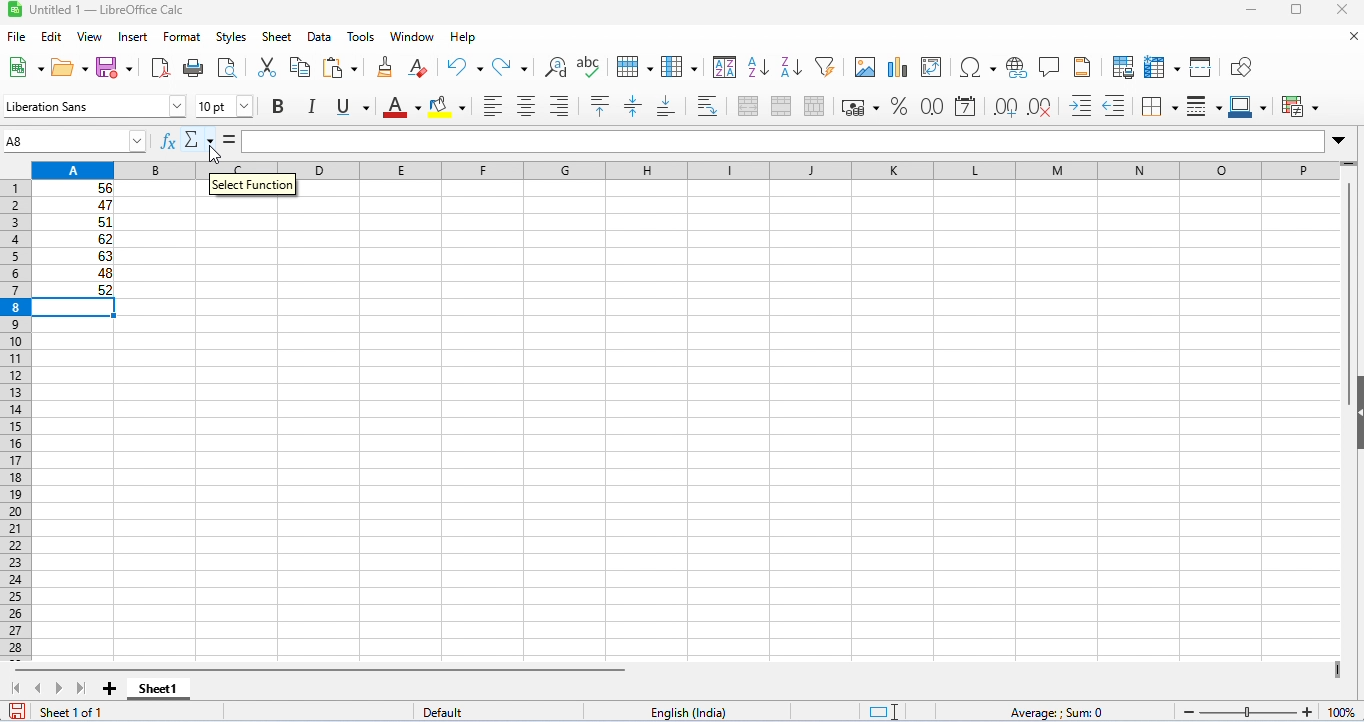 Image resolution: width=1364 pixels, height=722 pixels. I want to click on next sheet, so click(60, 690).